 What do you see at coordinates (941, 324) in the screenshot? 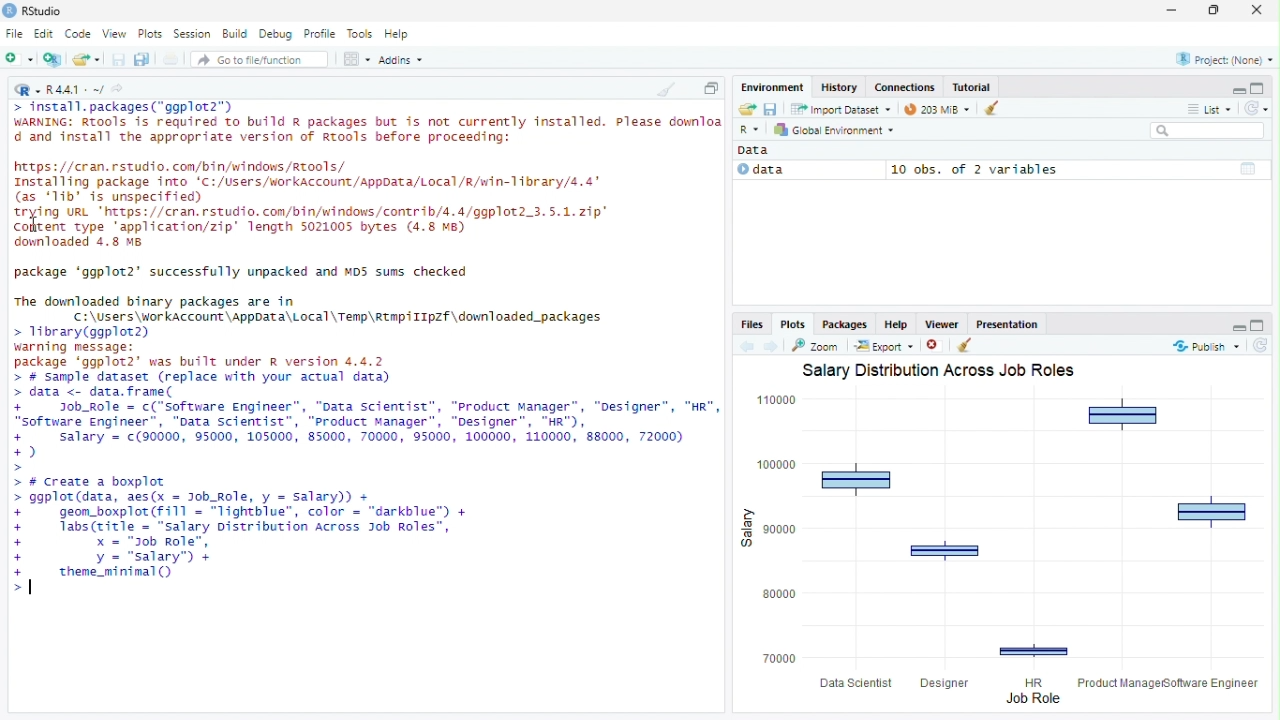
I see `Viewer` at bounding box center [941, 324].